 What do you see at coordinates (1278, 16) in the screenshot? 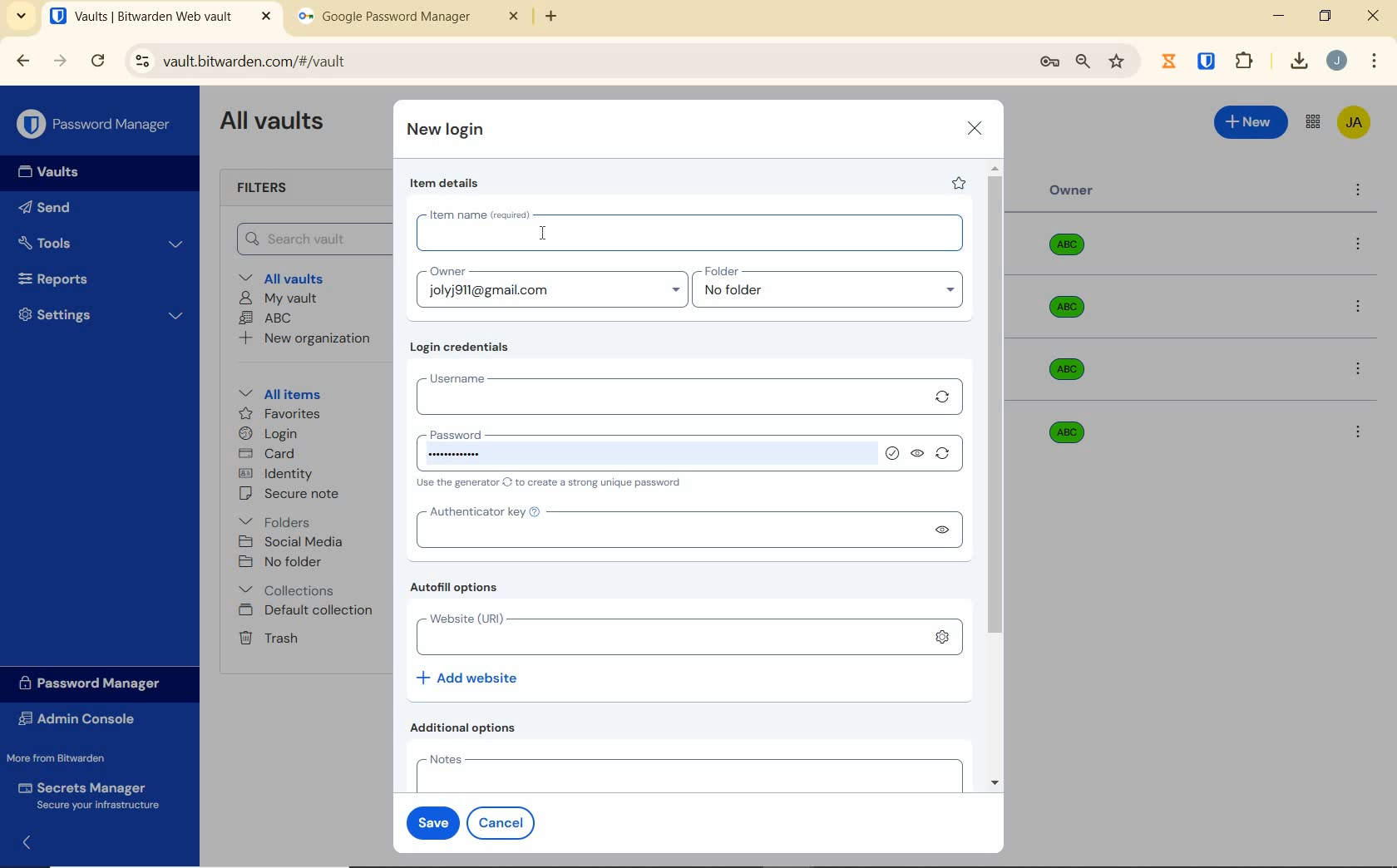
I see `minimize` at bounding box center [1278, 16].